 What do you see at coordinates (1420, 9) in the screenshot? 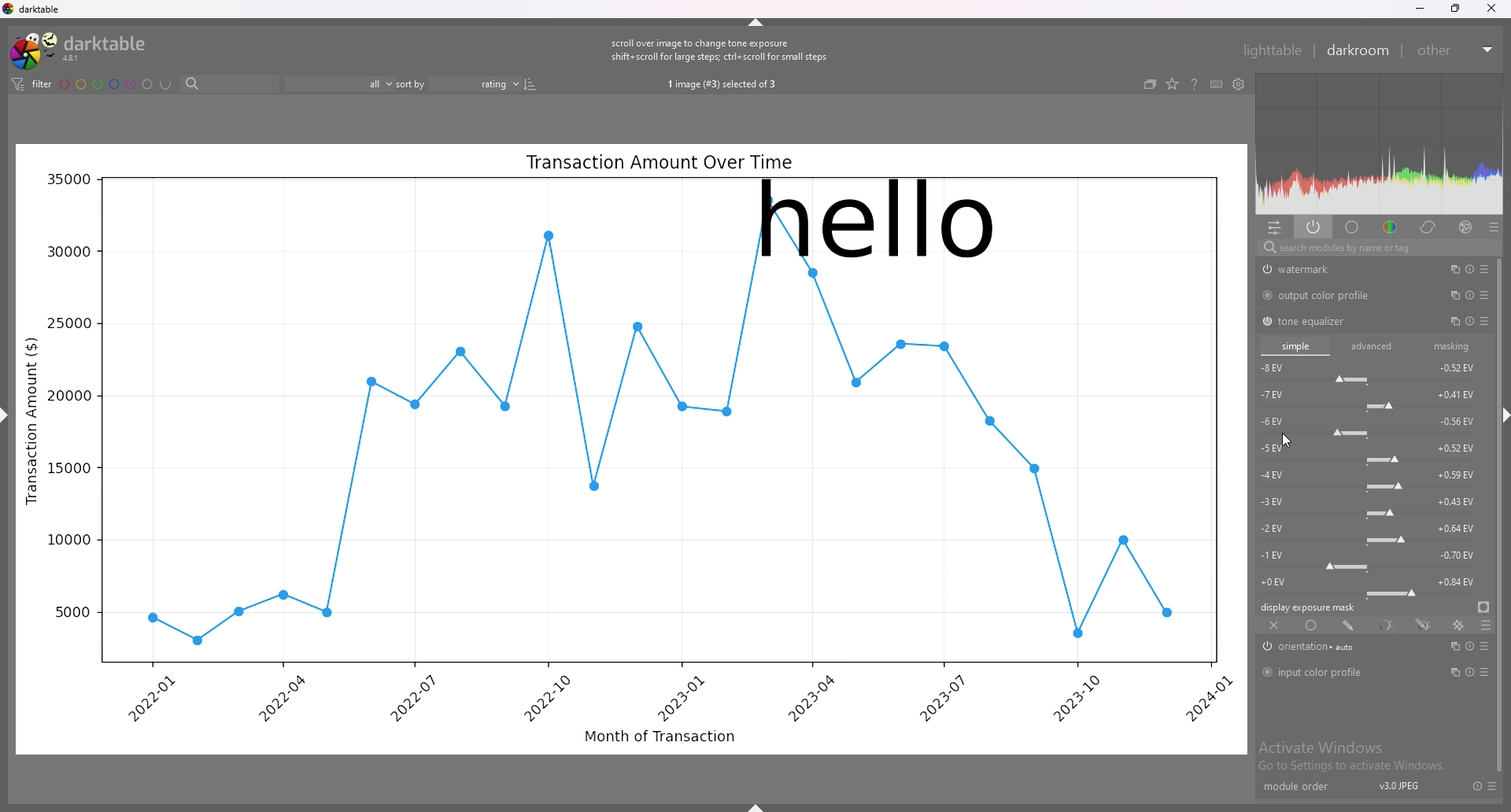
I see `minimize` at bounding box center [1420, 9].